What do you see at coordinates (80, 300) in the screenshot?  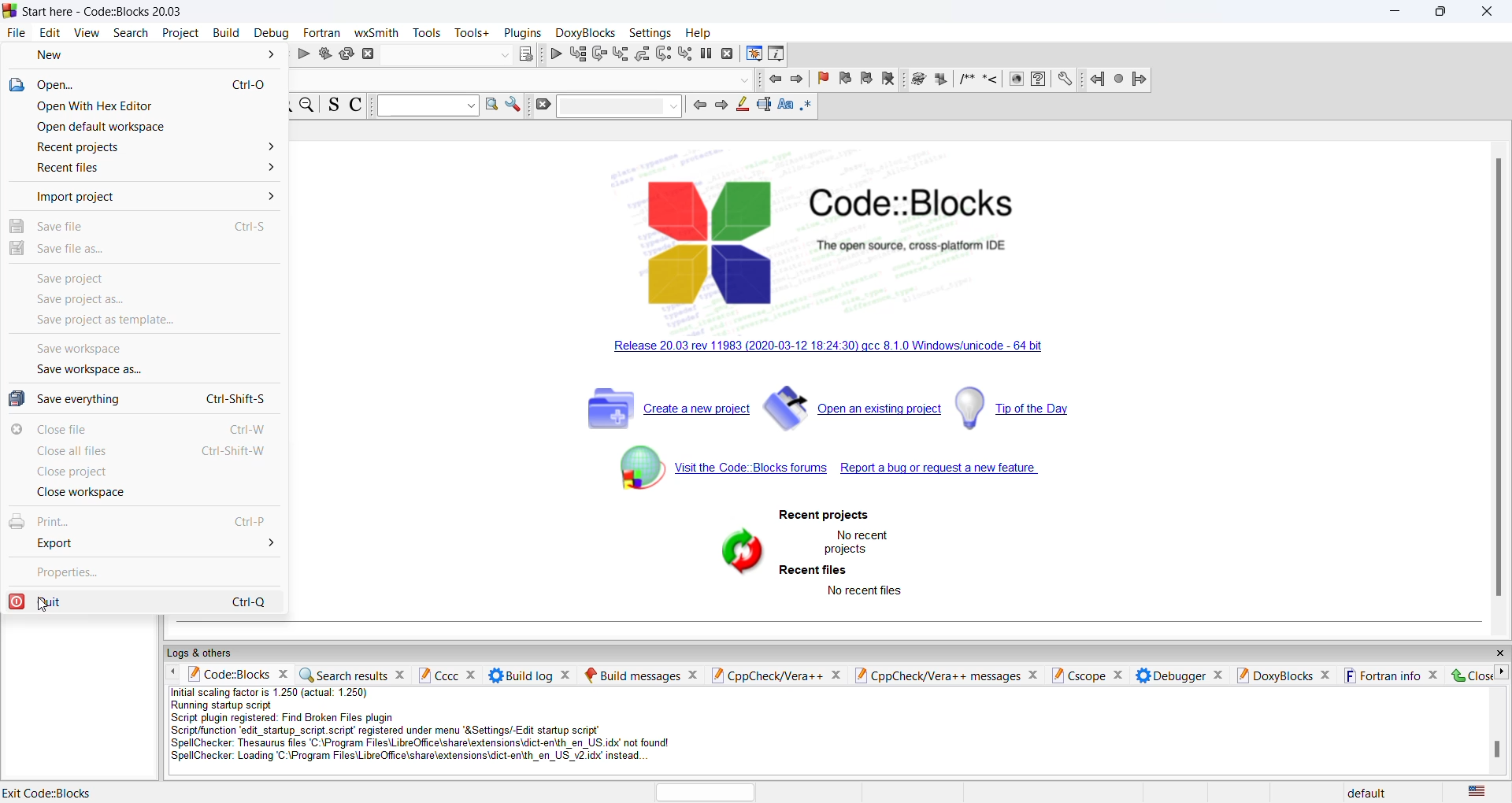 I see `Save project as.` at bounding box center [80, 300].